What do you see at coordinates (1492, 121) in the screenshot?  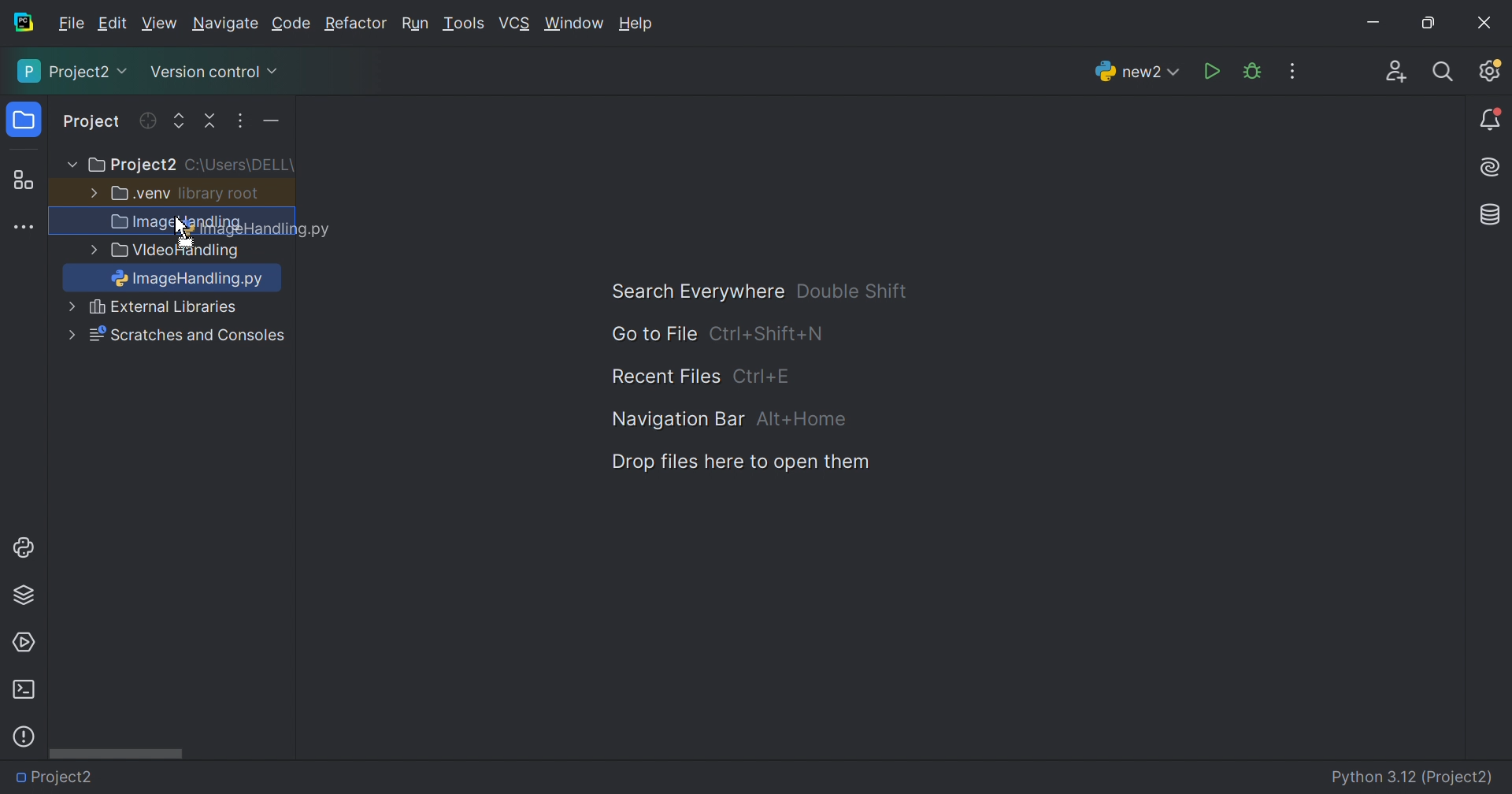 I see `Notifications` at bounding box center [1492, 121].